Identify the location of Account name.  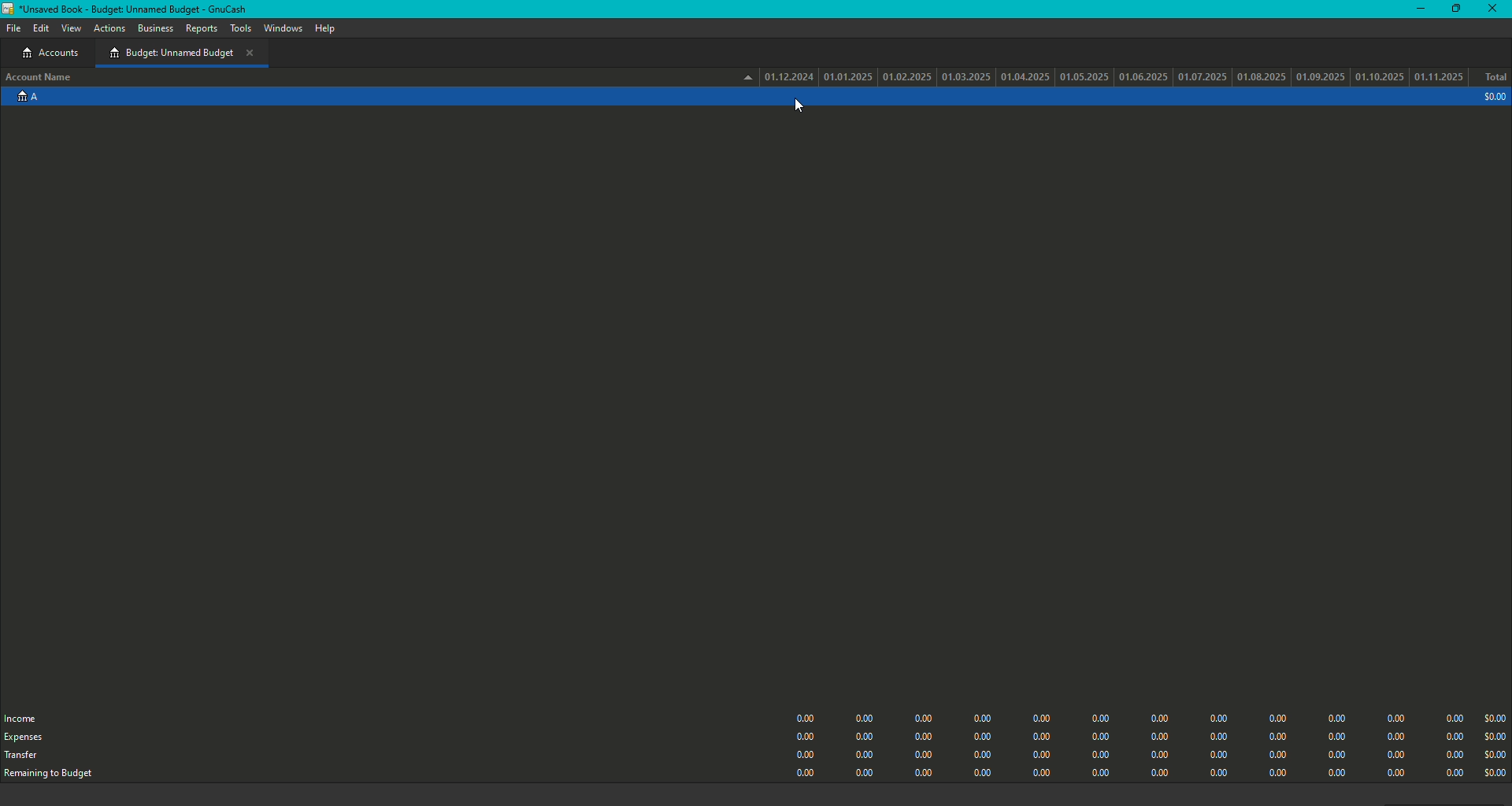
(41, 79).